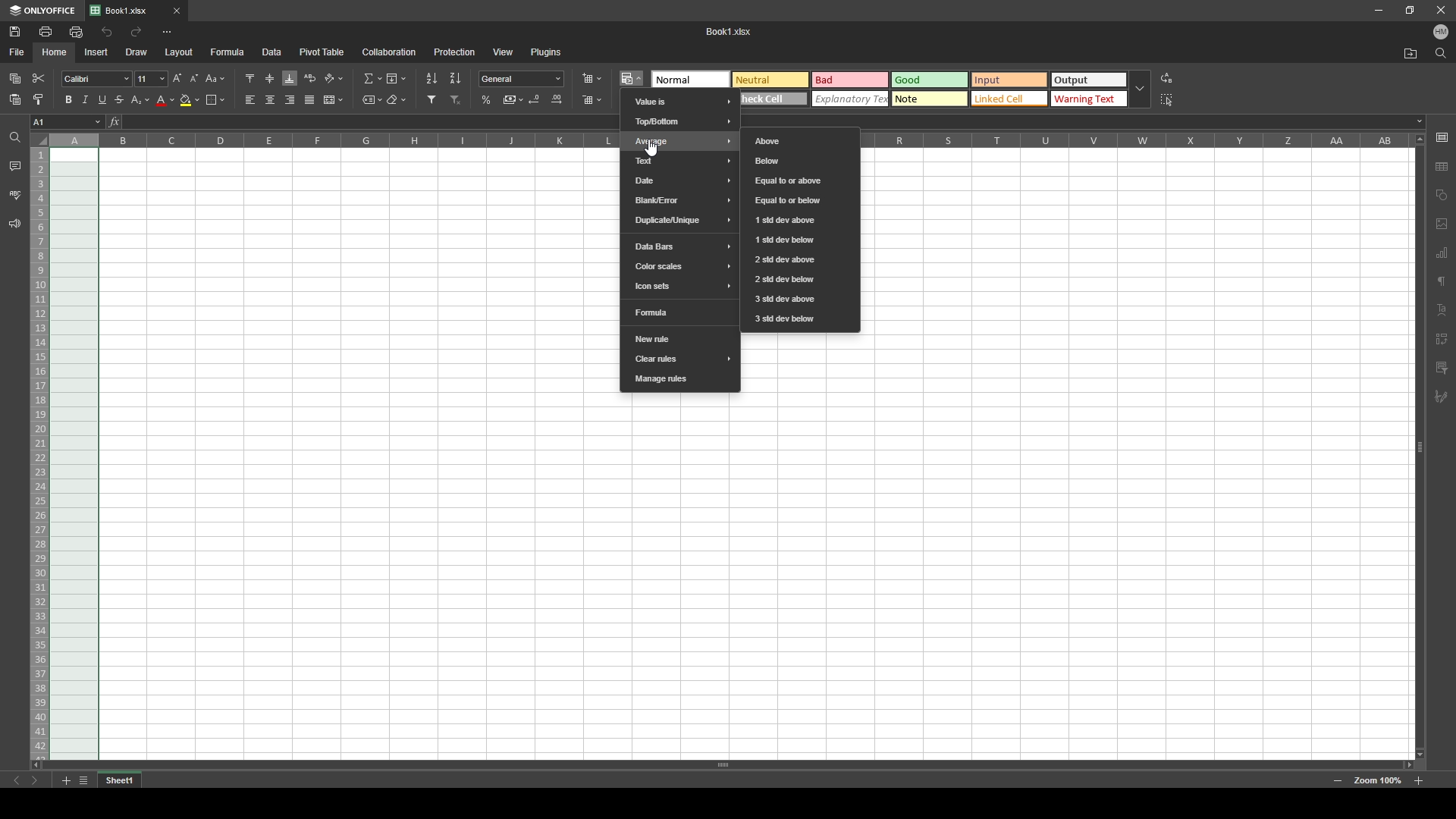 The image size is (1456, 819). What do you see at coordinates (1137, 455) in the screenshot?
I see `cells` at bounding box center [1137, 455].